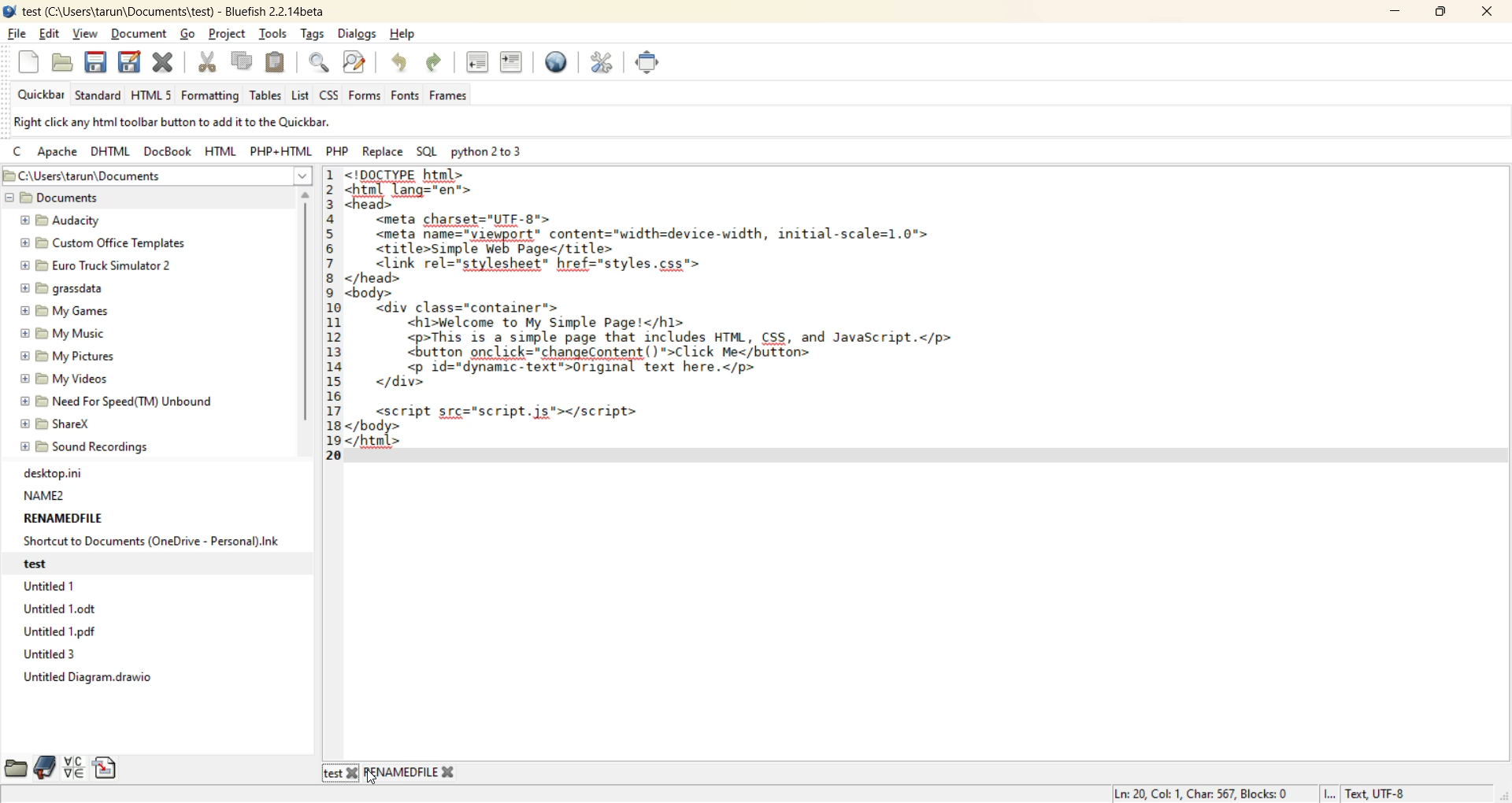 This screenshot has width=1512, height=803. Describe the element at coordinates (63, 516) in the screenshot. I see `RENAMEDFILE` at that location.